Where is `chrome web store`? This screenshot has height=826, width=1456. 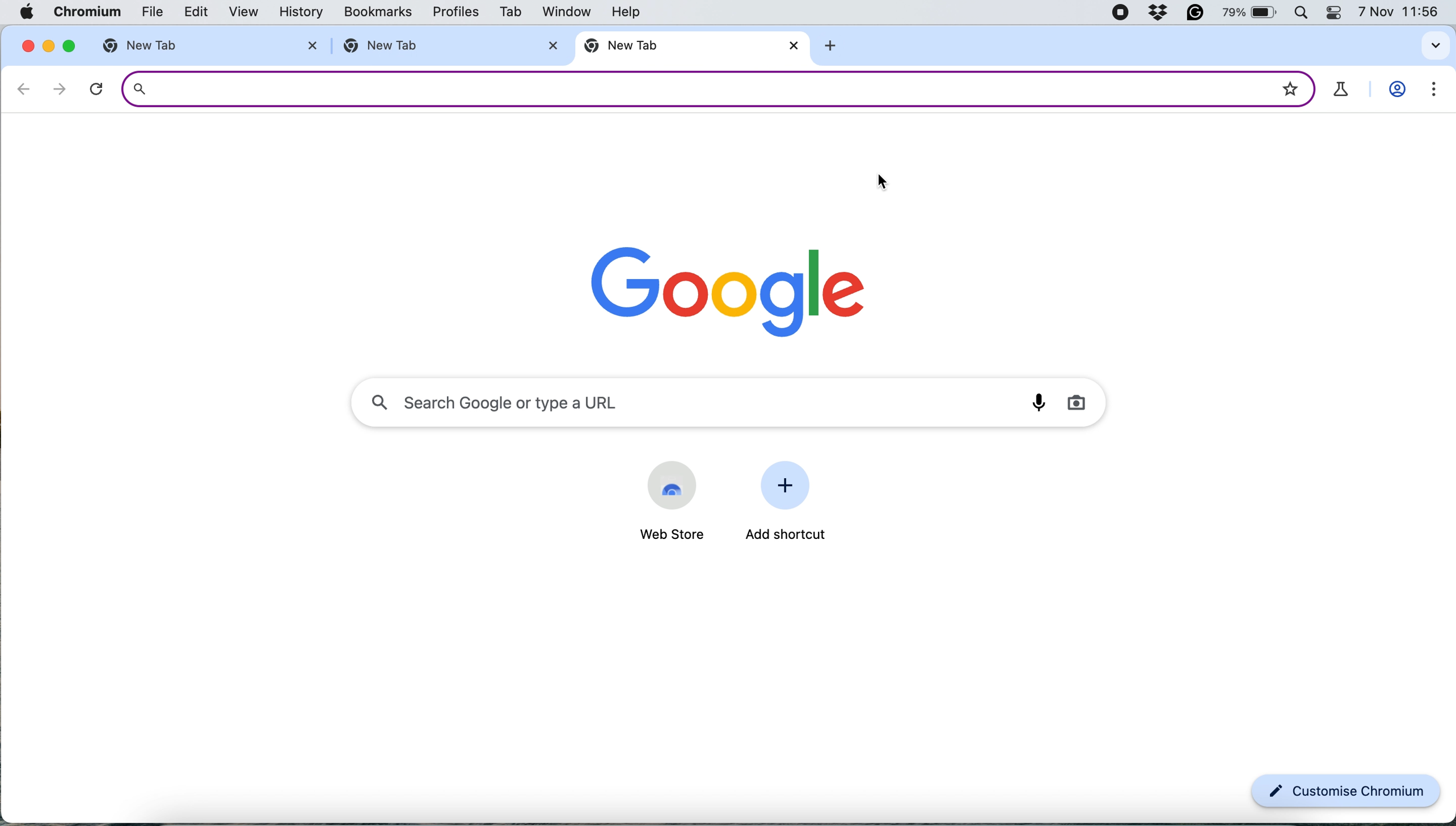 chrome web store is located at coordinates (672, 484).